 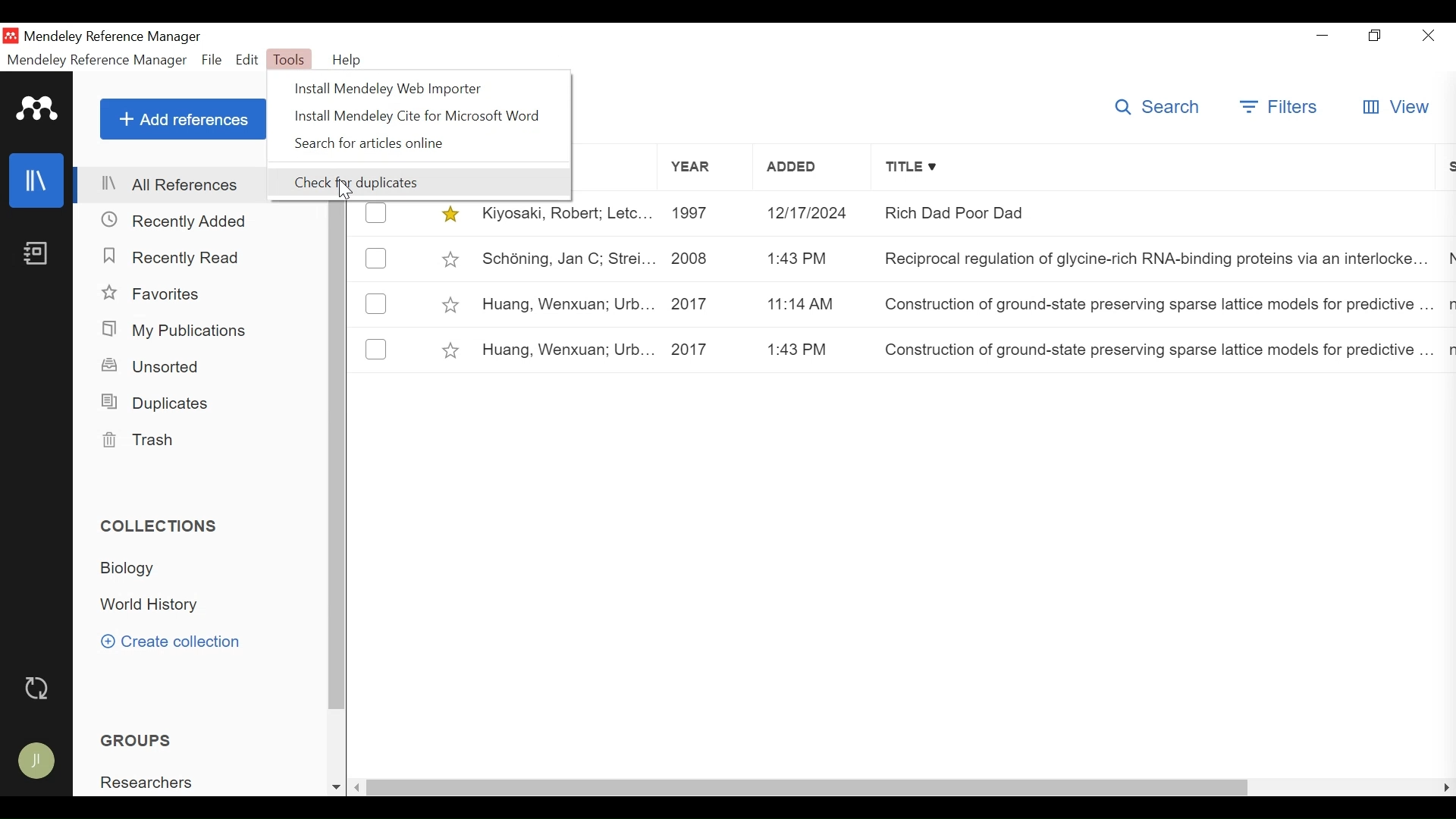 I want to click on Scroll down, so click(x=334, y=789).